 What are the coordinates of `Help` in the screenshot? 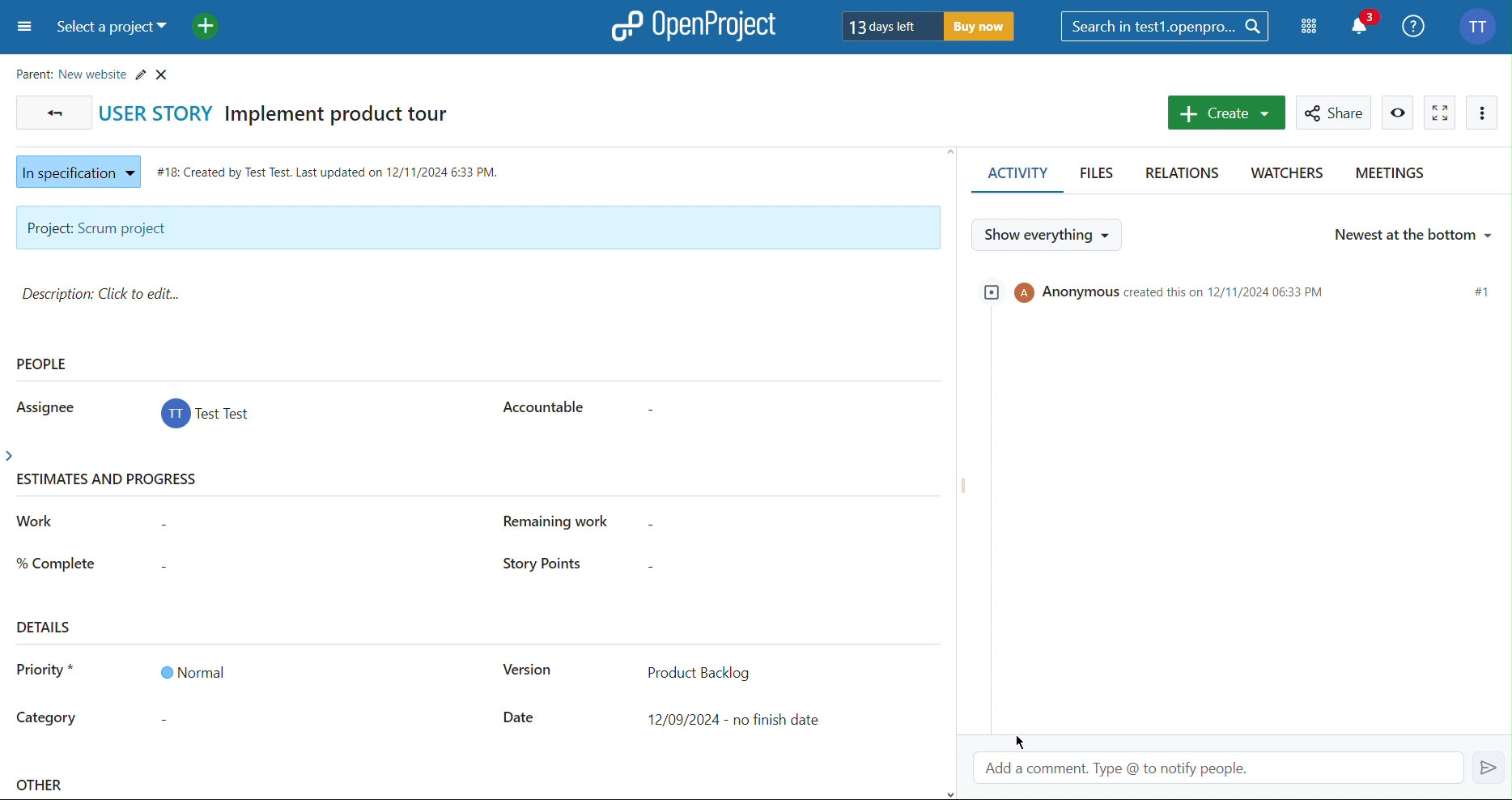 It's located at (1415, 24).